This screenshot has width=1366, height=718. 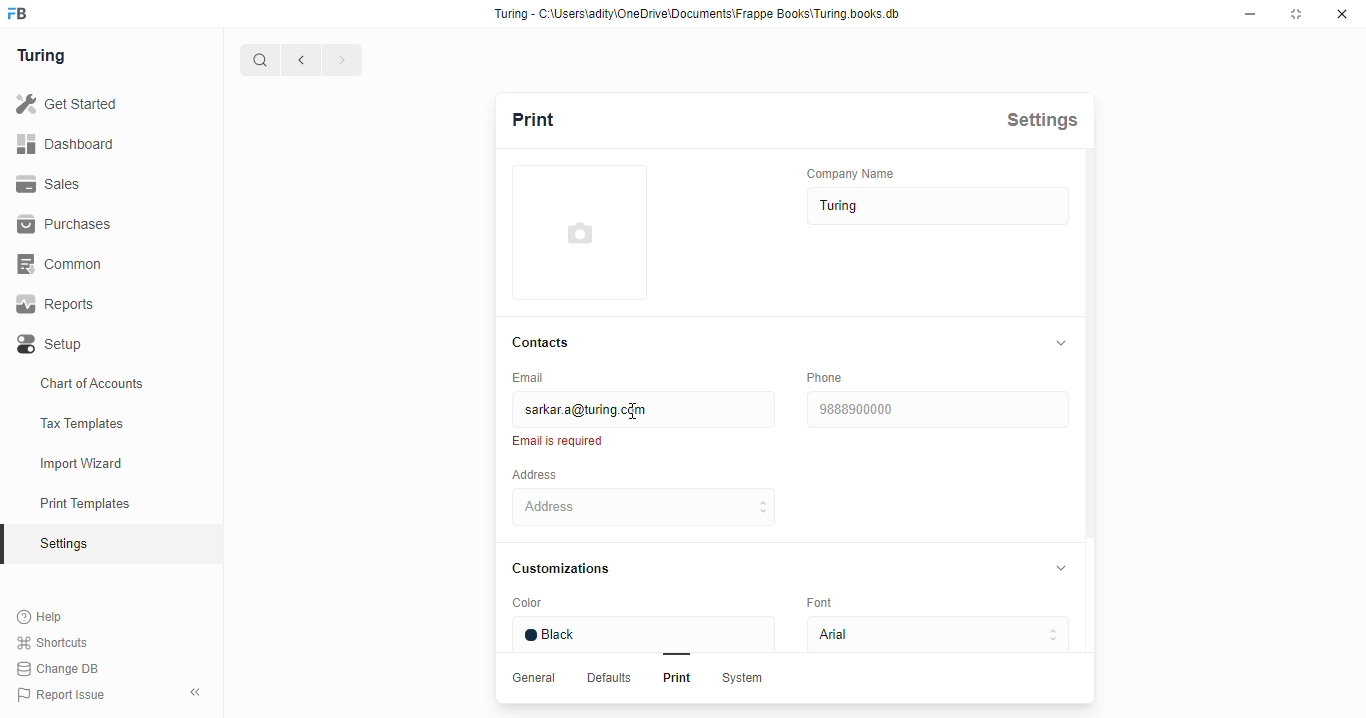 What do you see at coordinates (547, 341) in the screenshot?
I see `Contacts` at bounding box center [547, 341].